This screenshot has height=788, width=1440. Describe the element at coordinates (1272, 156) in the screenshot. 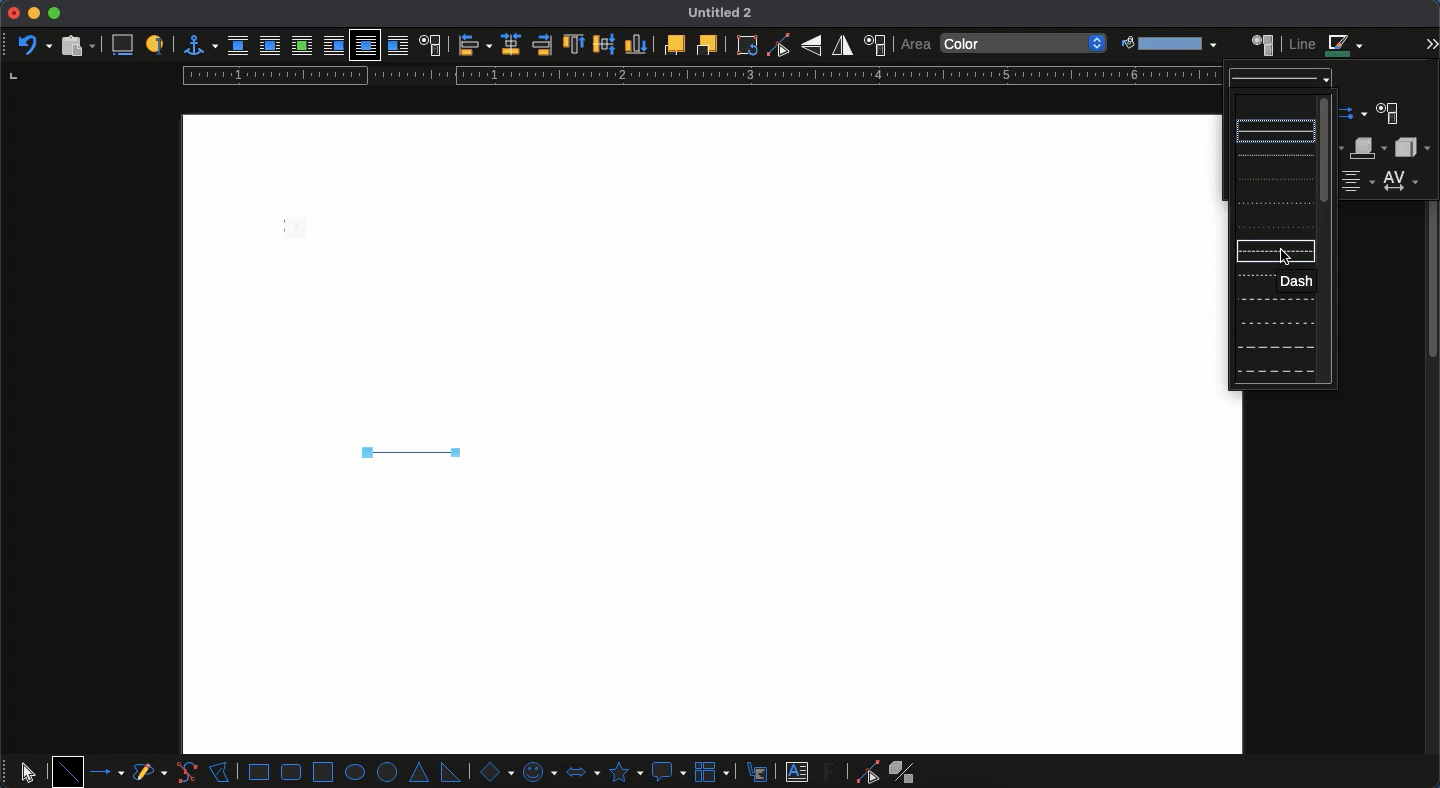

I see `dot` at that location.